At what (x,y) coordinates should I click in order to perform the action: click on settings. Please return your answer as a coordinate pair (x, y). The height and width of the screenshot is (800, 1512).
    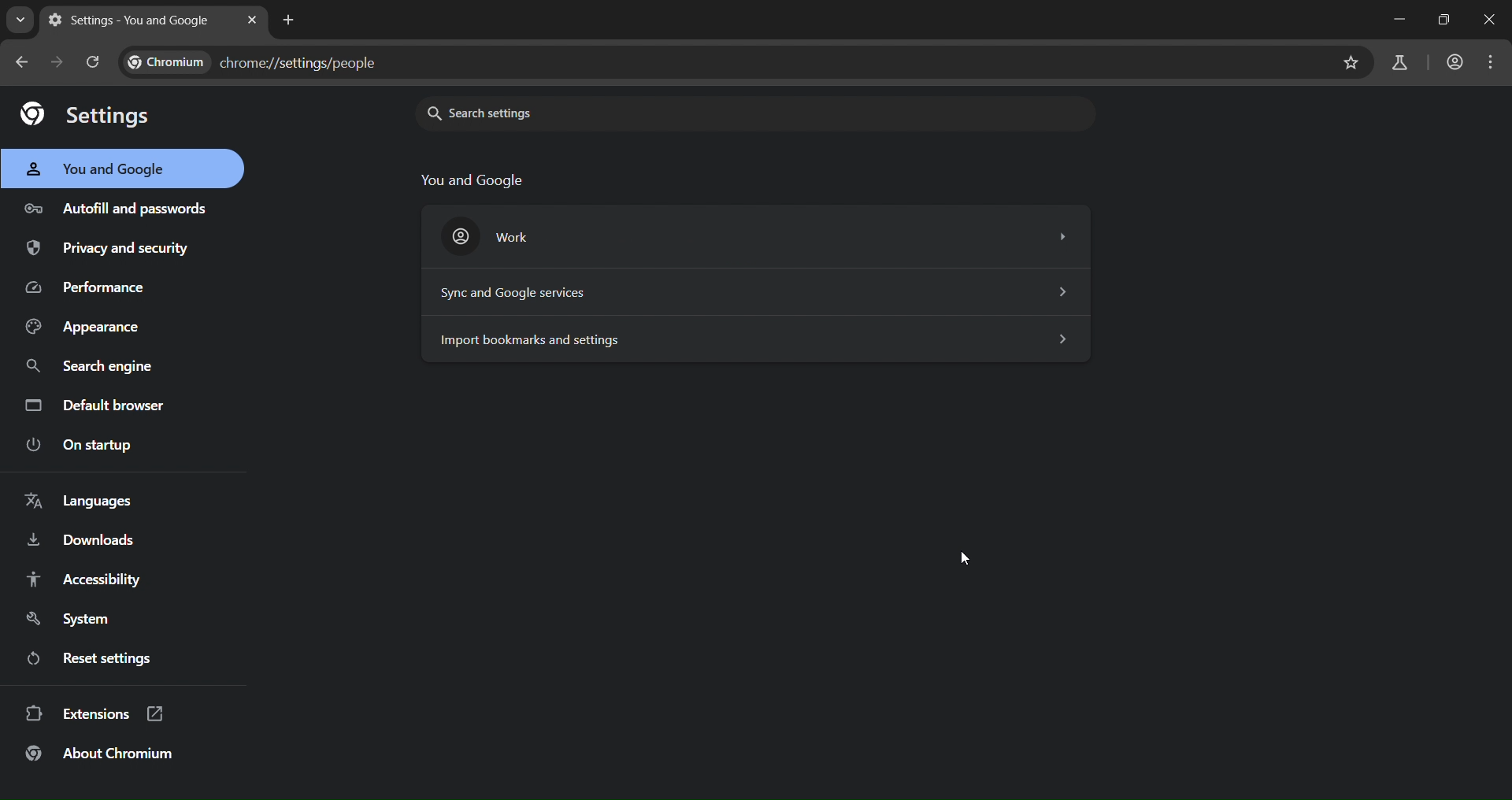
    Looking at the image, I should click on (91, 115).